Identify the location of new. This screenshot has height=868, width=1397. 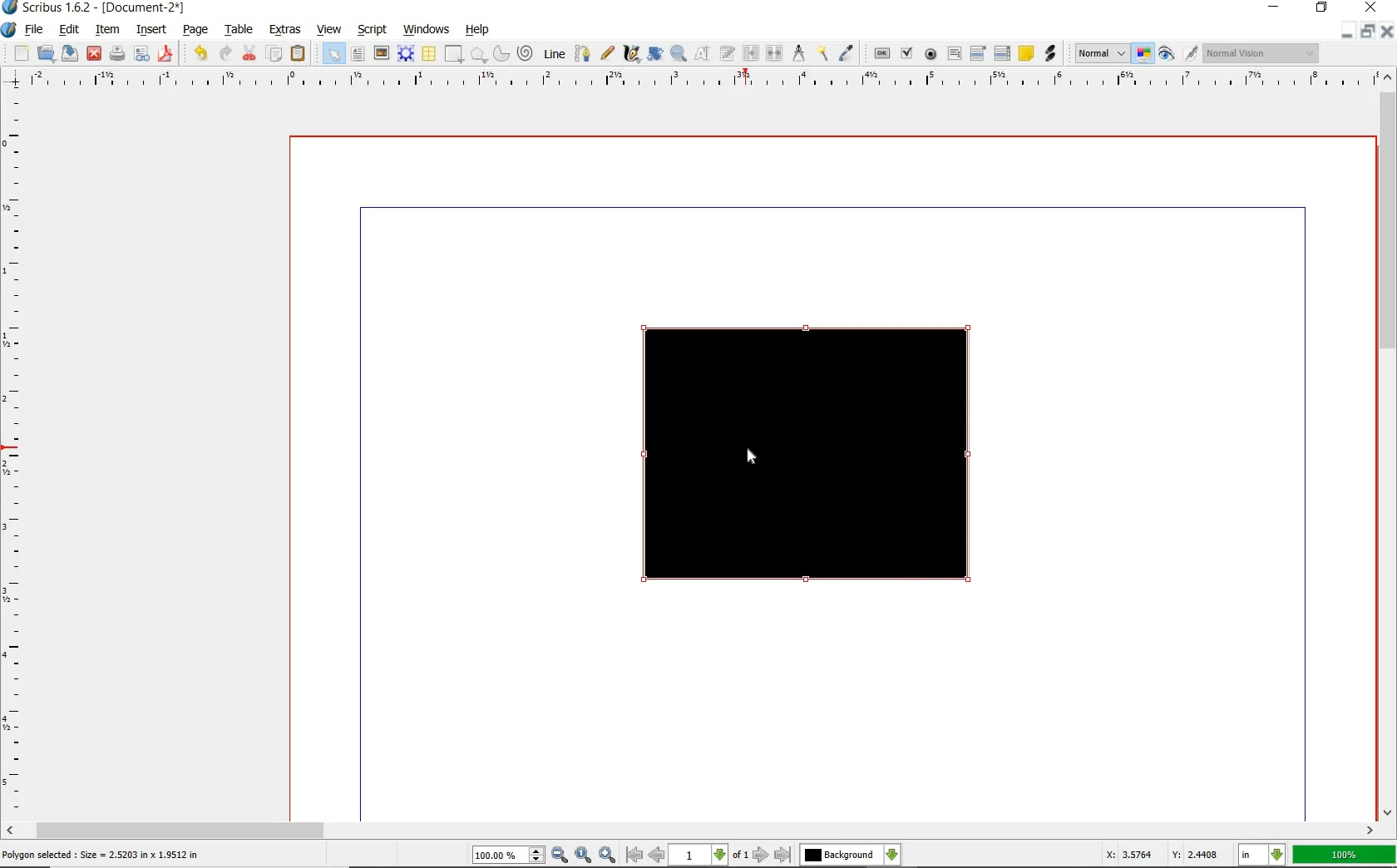
(22, 53).